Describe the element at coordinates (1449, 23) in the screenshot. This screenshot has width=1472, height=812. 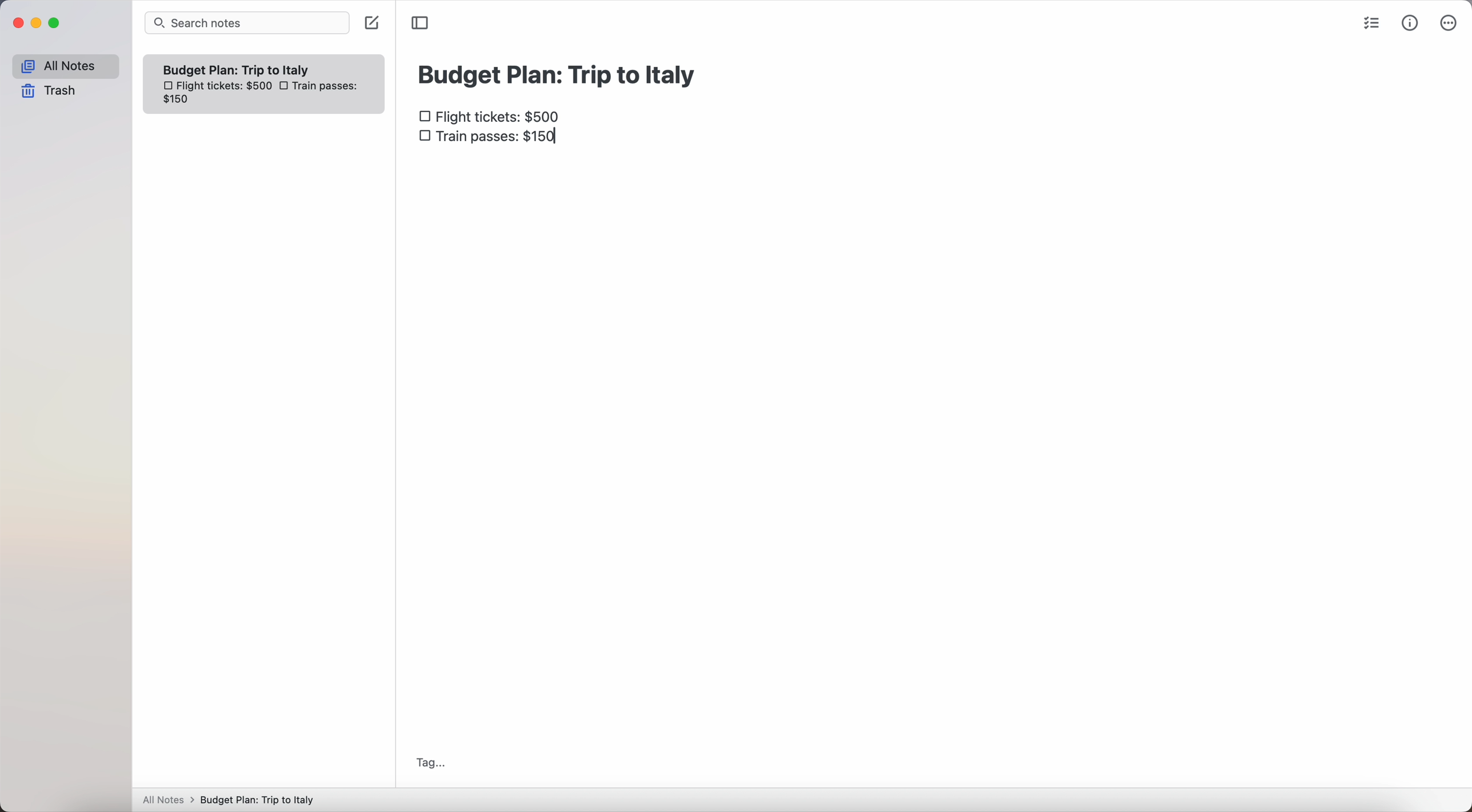
I see `more options` at that location.